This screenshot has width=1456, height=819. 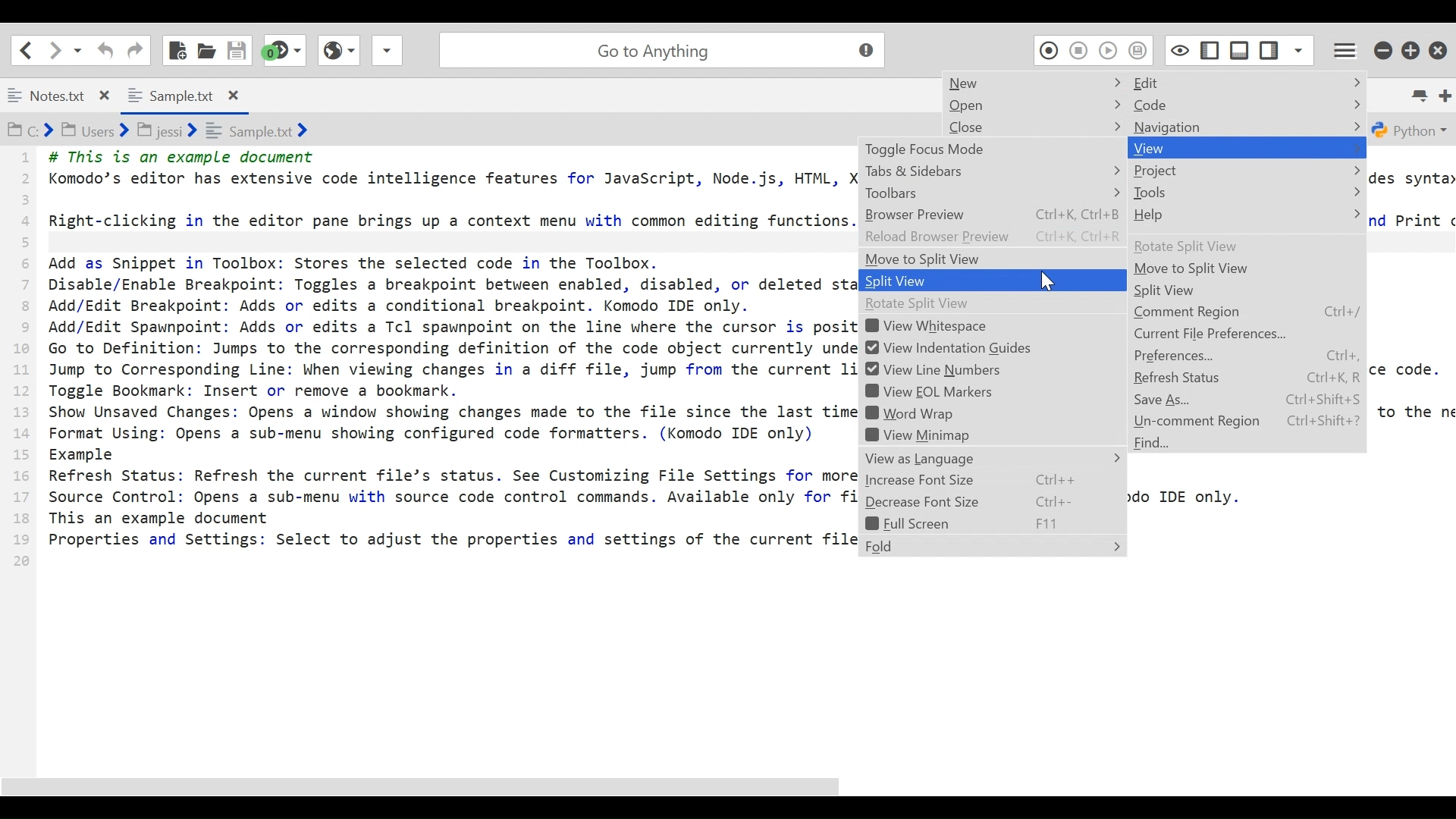 I want to click on Application menu, so click(x=1347, y=50).